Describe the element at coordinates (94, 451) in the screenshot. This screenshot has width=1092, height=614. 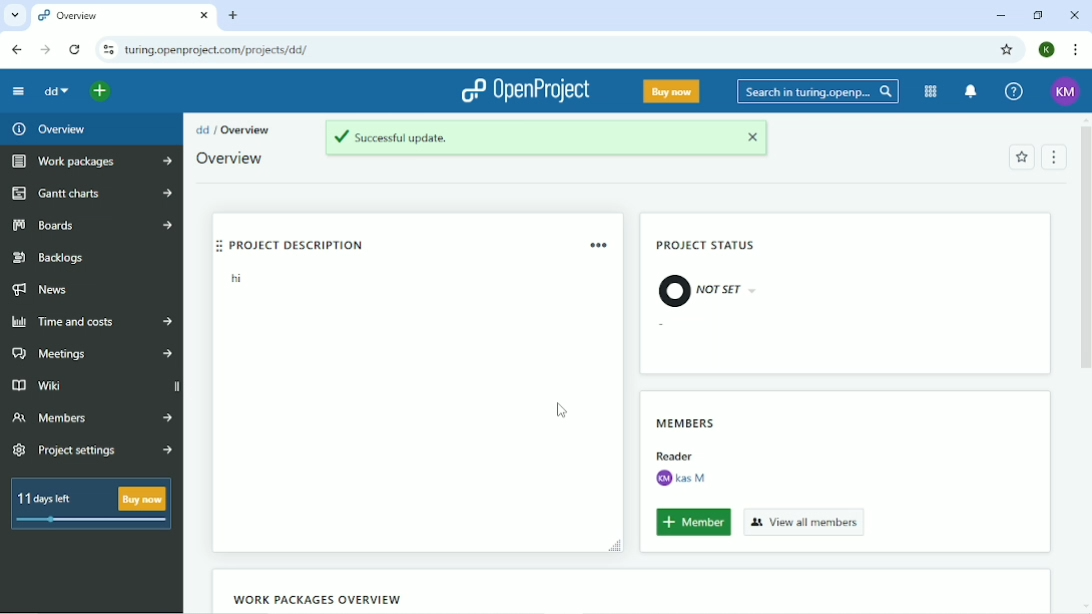
I see `Project settings` at that location.